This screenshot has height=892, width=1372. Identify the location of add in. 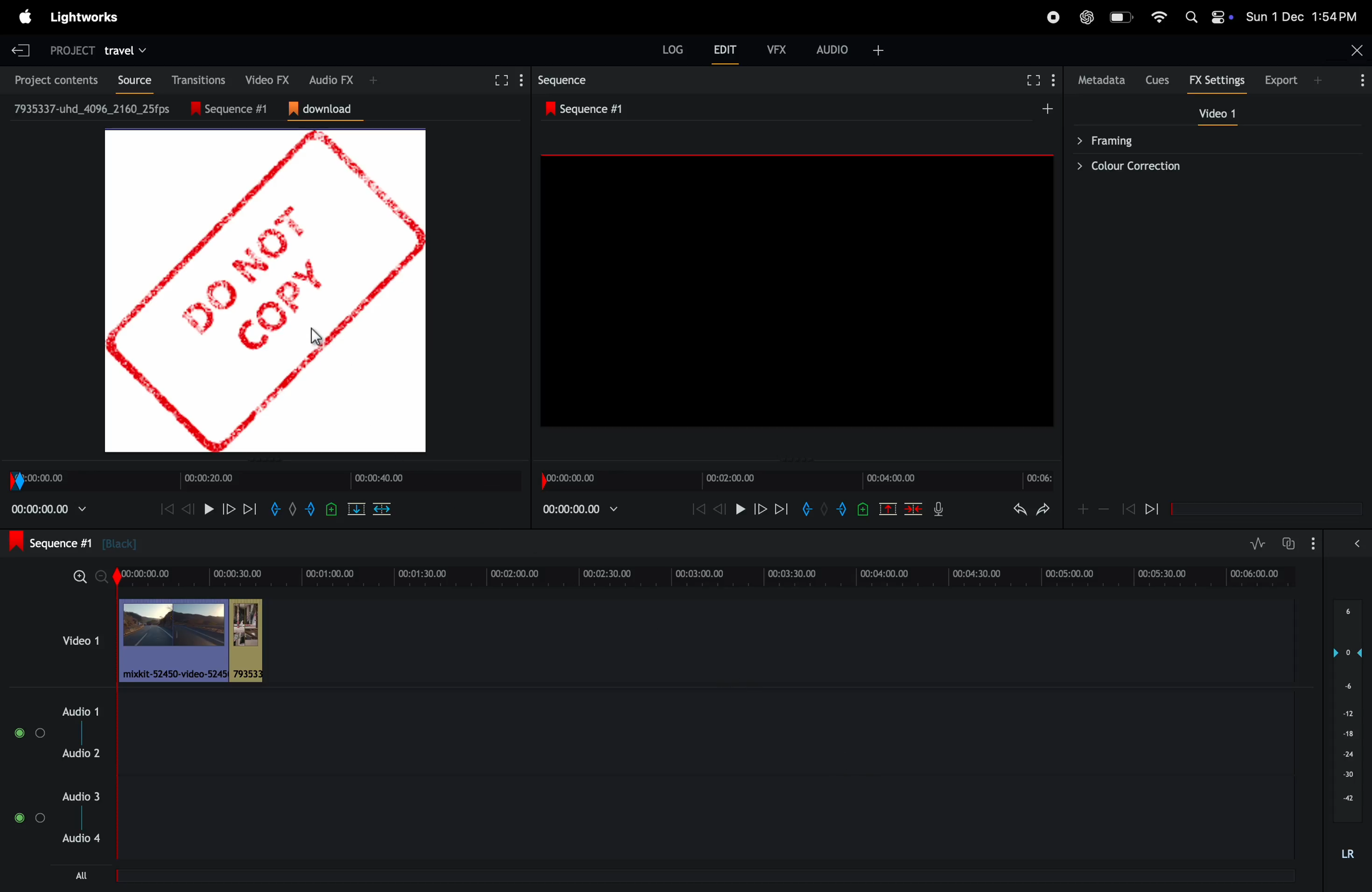
(274, 509).